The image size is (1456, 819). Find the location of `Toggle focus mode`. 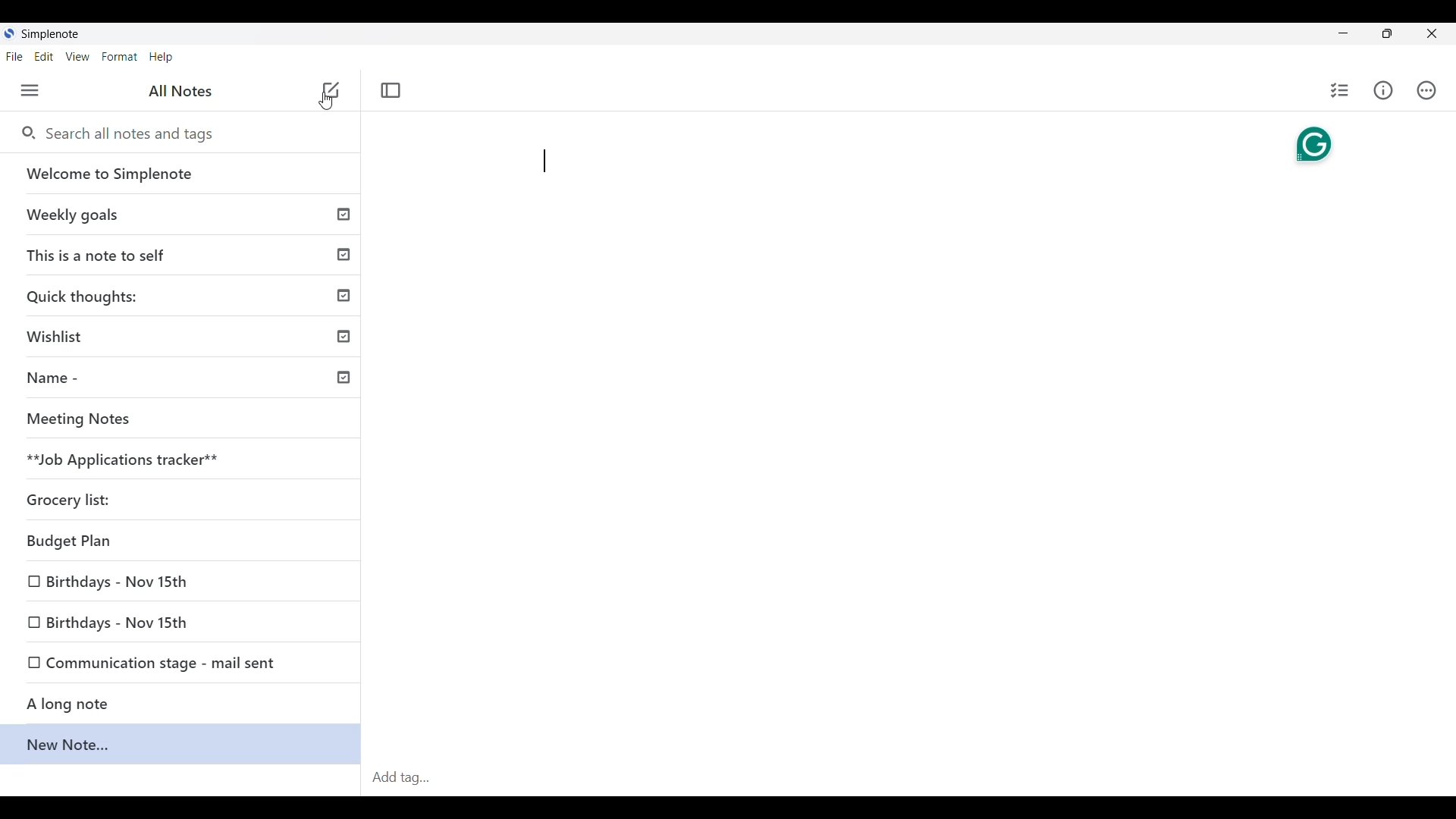

Toggle focus mode is located at coordinates (391, 90).